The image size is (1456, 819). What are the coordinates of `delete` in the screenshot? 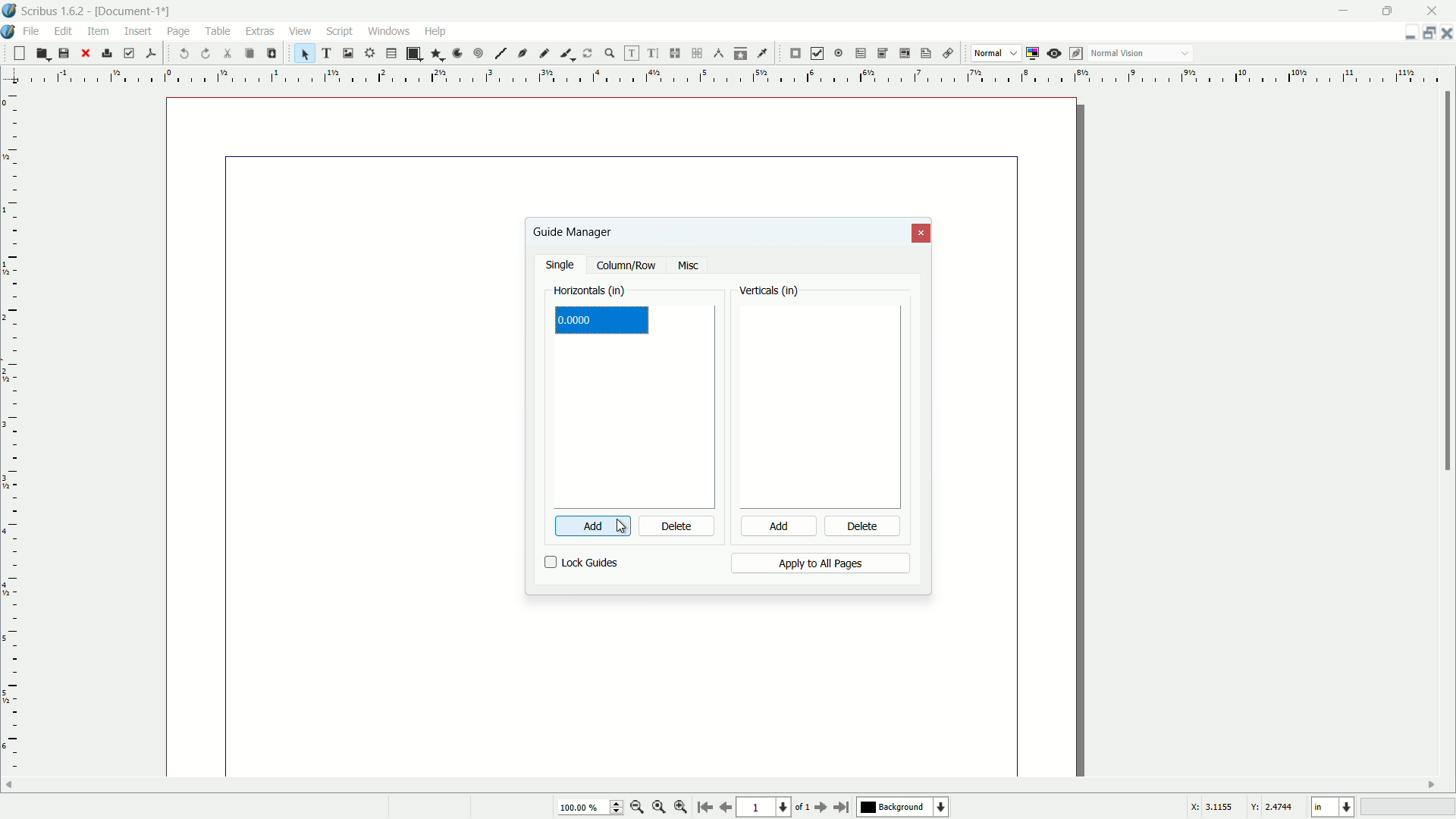 It's located at (864, 528).